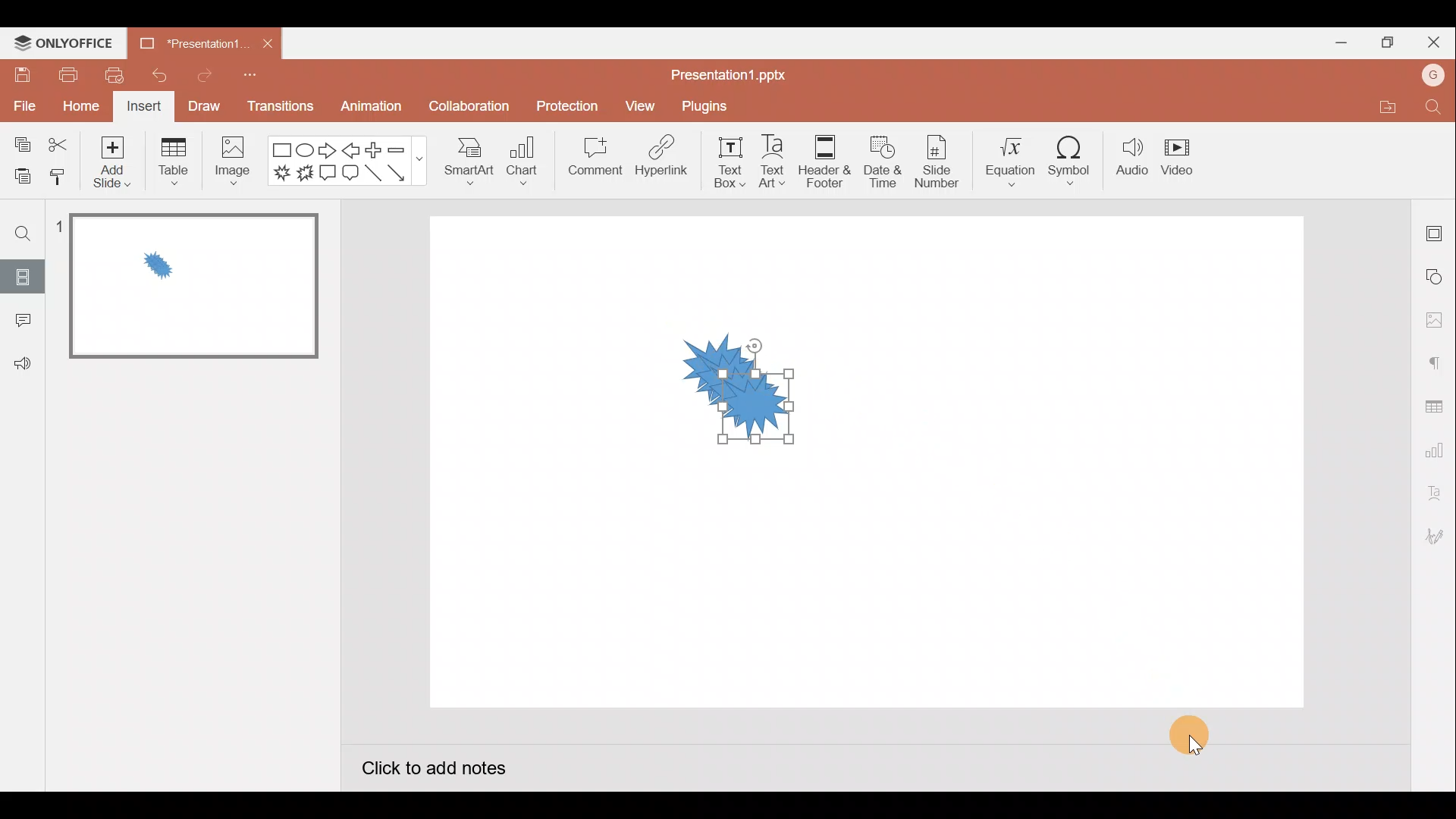 The image size is (1456, 819). I want to click on Symbol, so click(1075, 163).